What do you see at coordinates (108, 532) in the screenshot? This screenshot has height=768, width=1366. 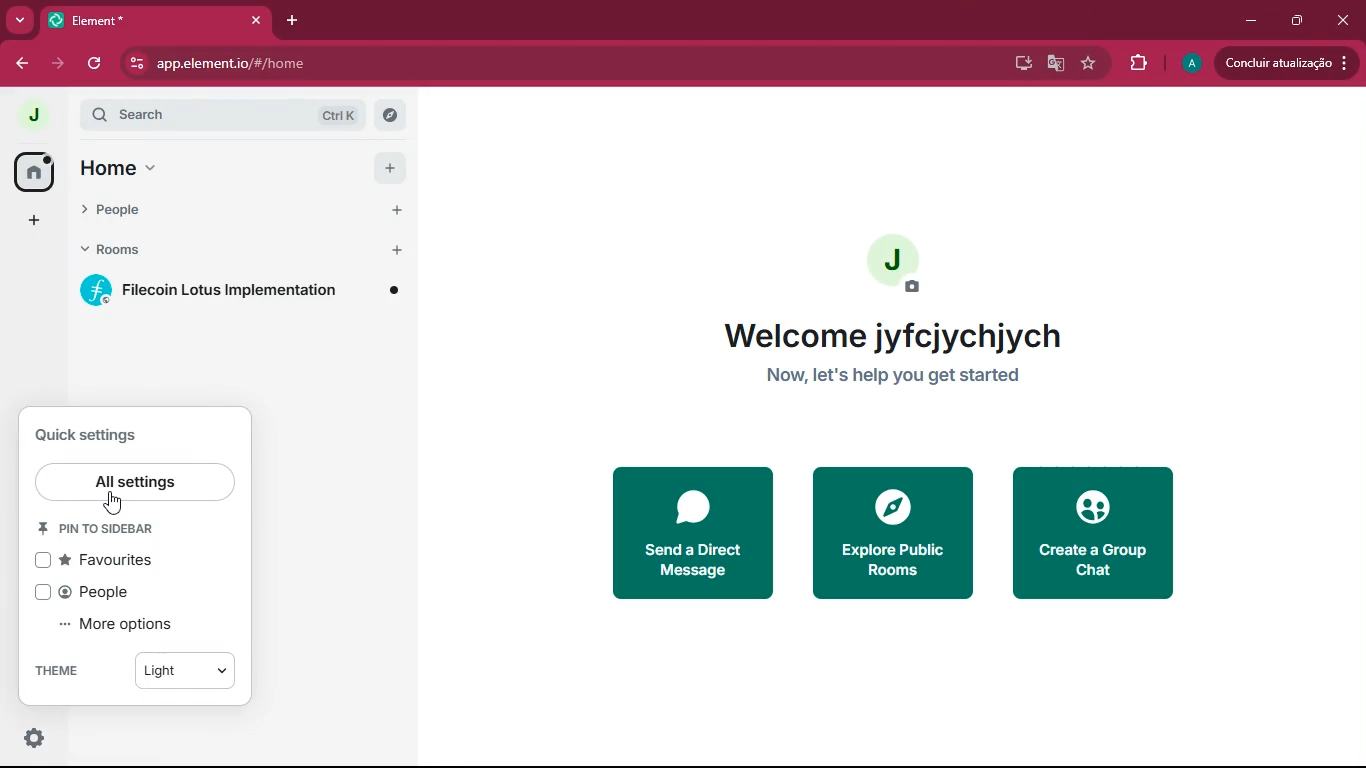 I see `pin` at bounding box center [108, 532].